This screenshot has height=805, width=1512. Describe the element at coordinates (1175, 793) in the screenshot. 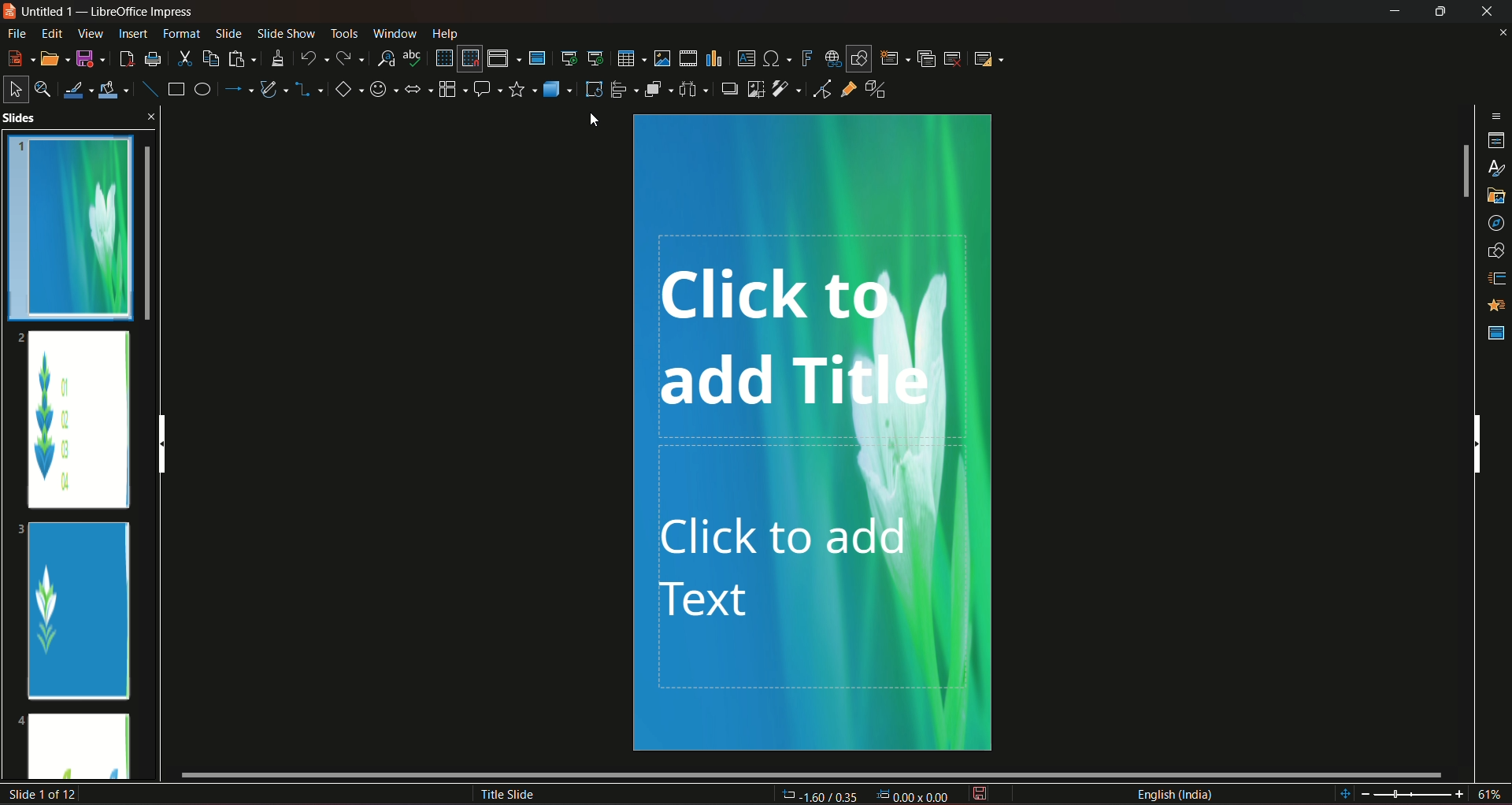

I see `language` at that location.